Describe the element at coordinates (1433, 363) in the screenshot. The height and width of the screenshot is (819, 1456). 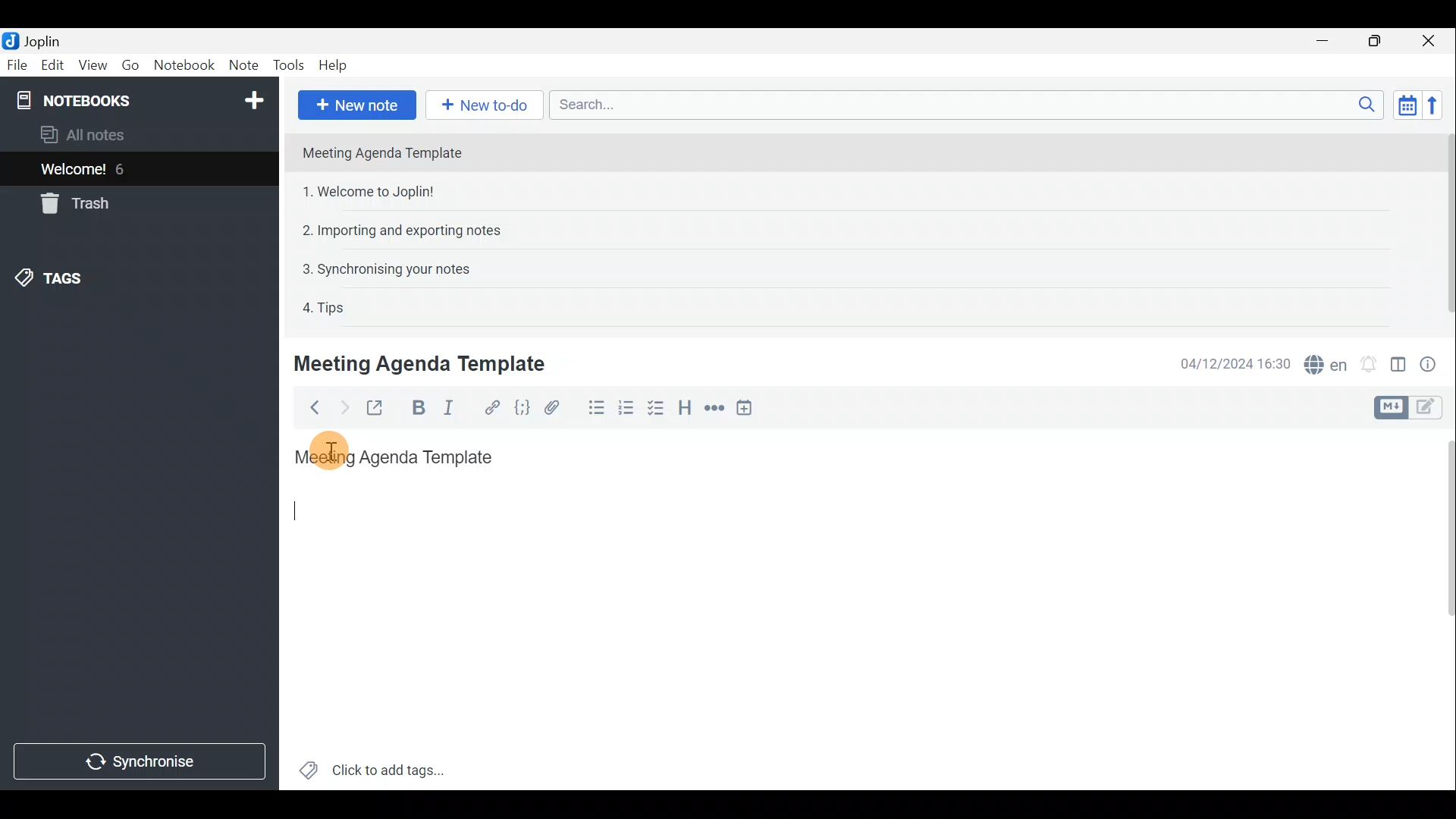
I see `Note properties` at that location.